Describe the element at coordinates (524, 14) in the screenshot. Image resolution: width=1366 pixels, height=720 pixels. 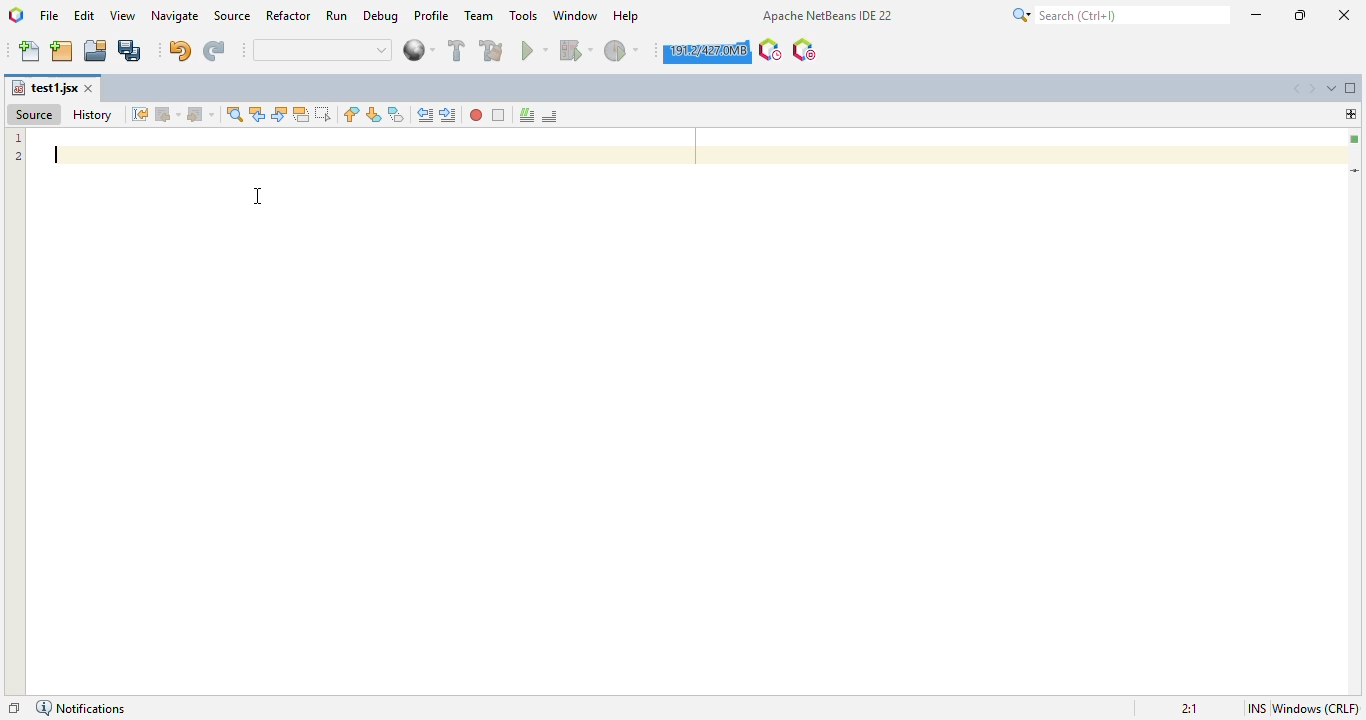
I see `tools` at that location.